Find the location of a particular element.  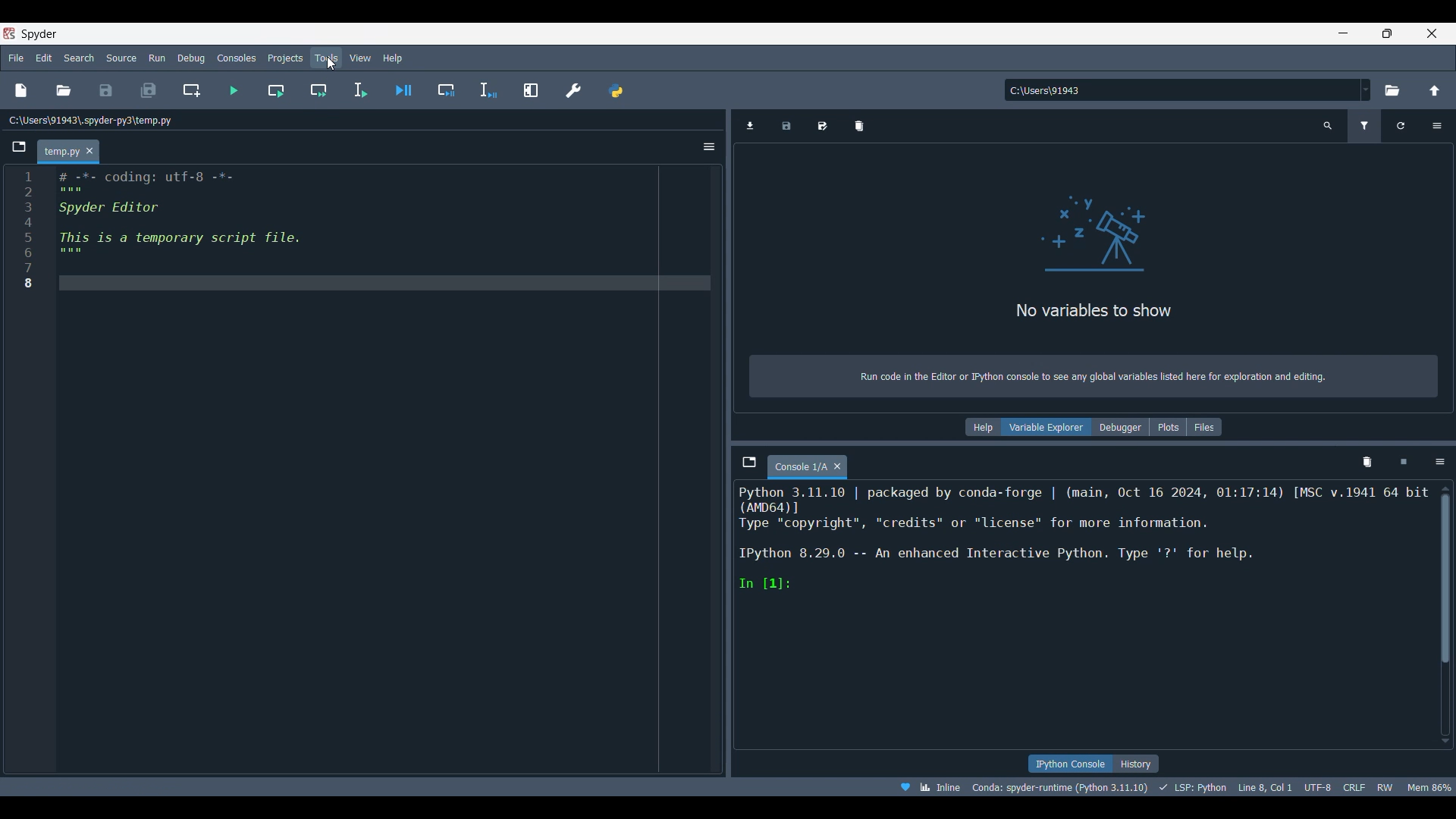

Software logo is located at coordinates (9, 33).